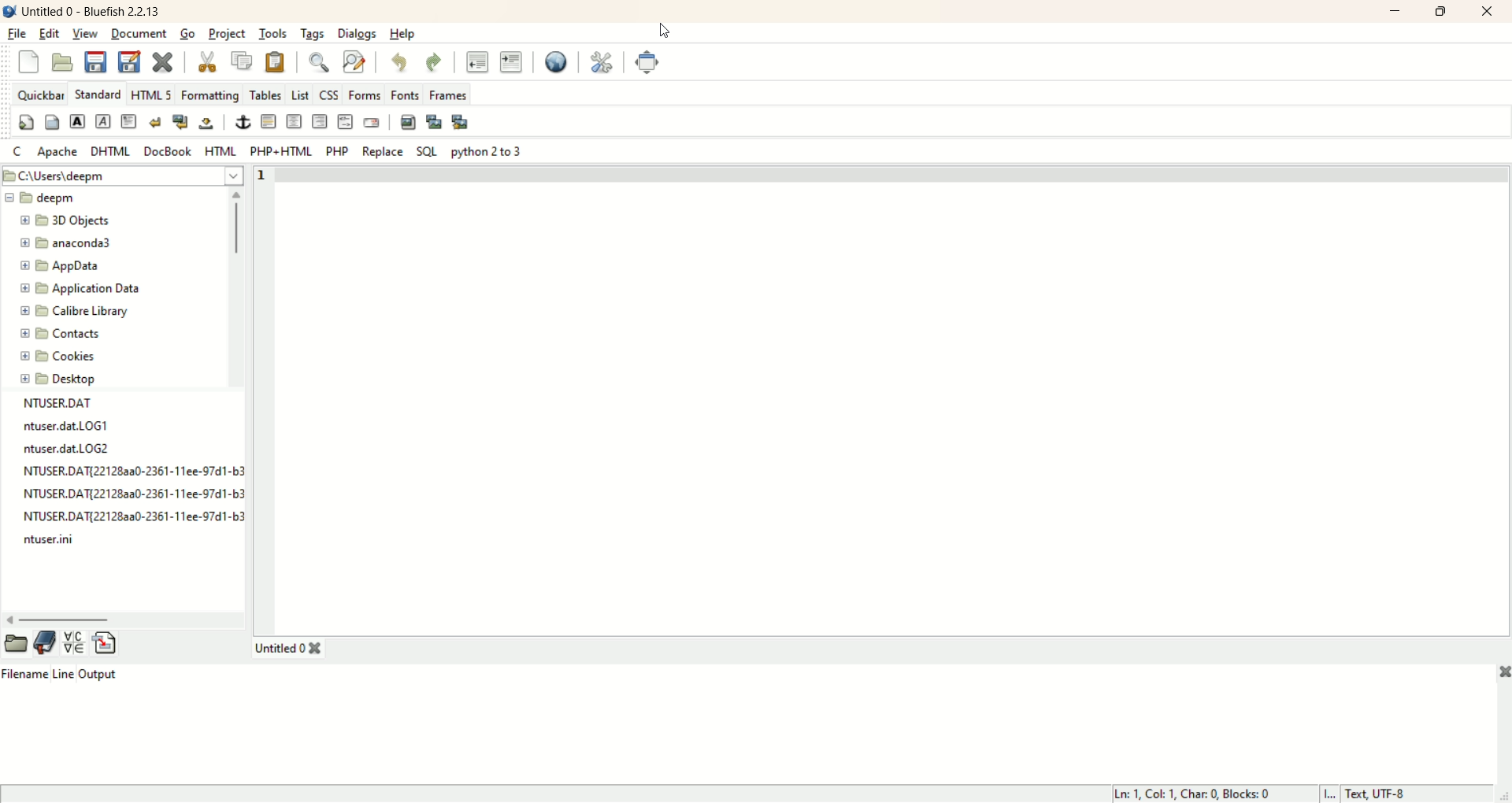 This screenshot has width=1512, height=803. What do you see at coordinates (131, 122) in the screenshot?
I see `paragraph` at bounding box center [131, 122].